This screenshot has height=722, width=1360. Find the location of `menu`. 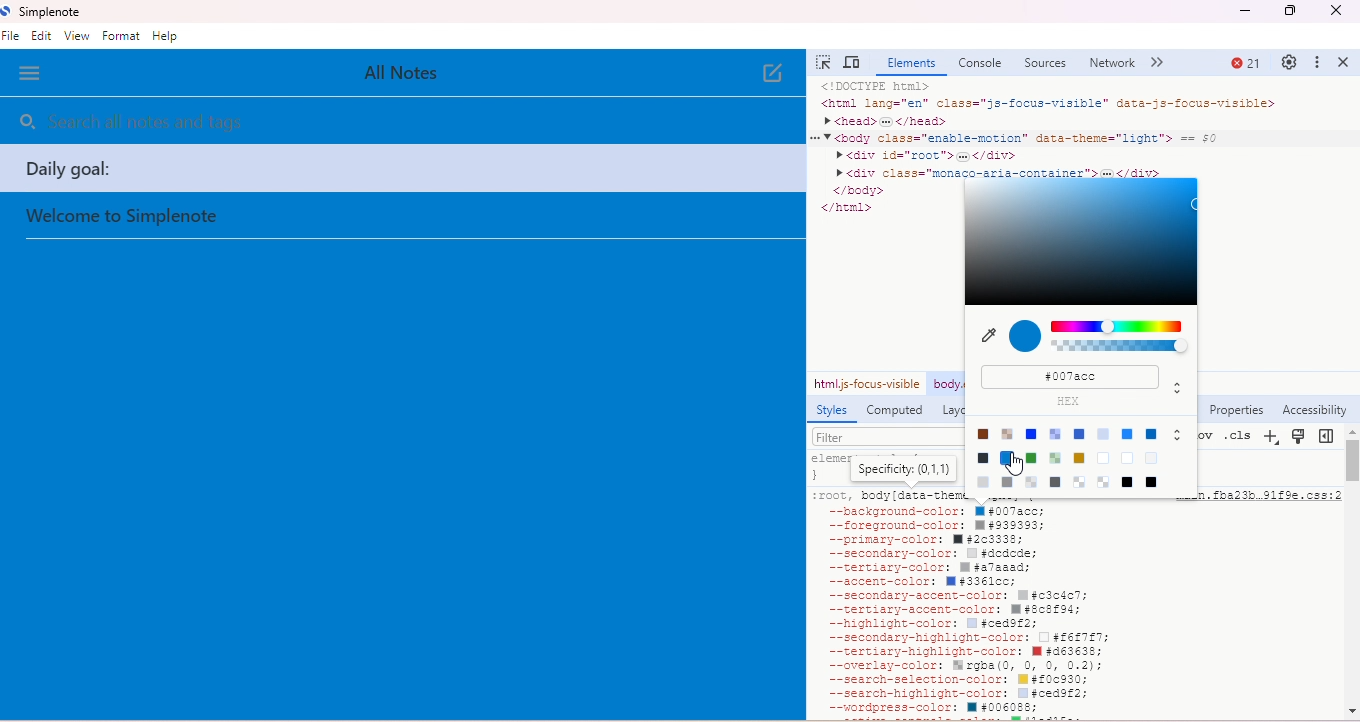

menu is located at coordinates (30, 74).